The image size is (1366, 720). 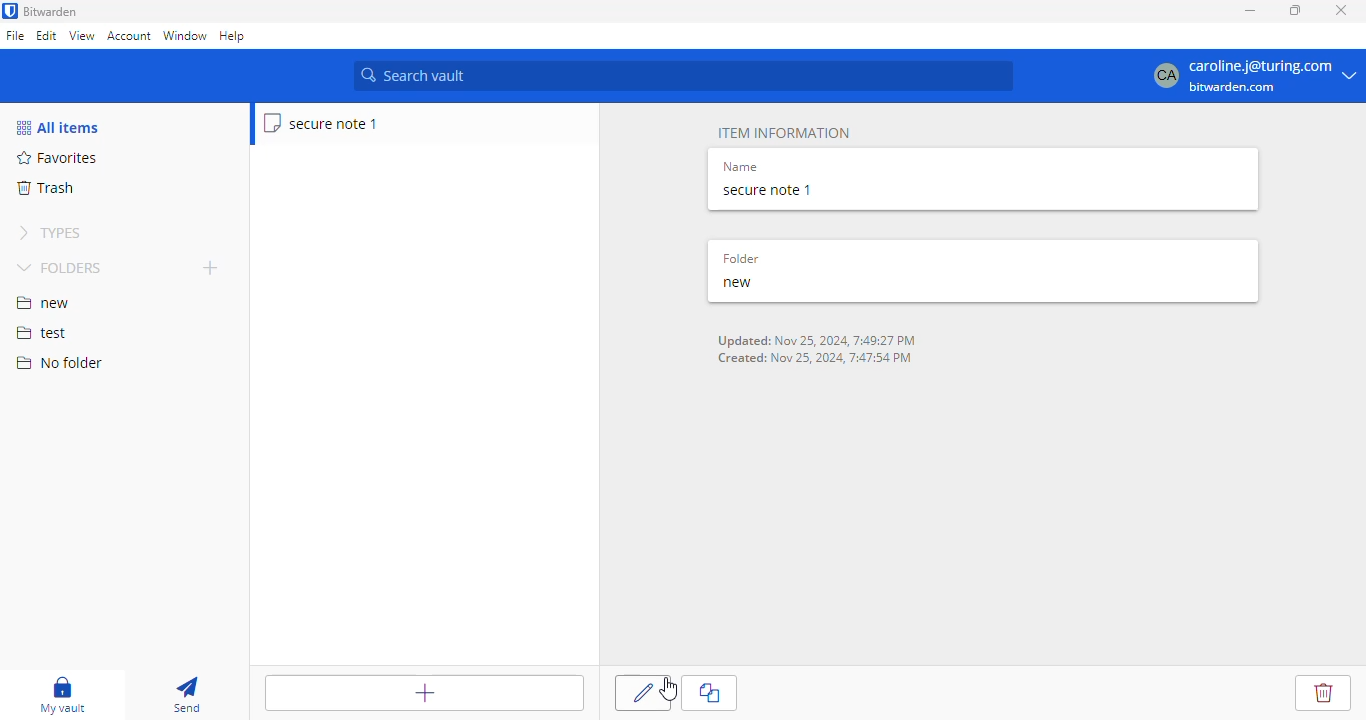 What do you see at coordinates (129, 36) in the screenshot?
I see `account` at bounding box center [129, 36].